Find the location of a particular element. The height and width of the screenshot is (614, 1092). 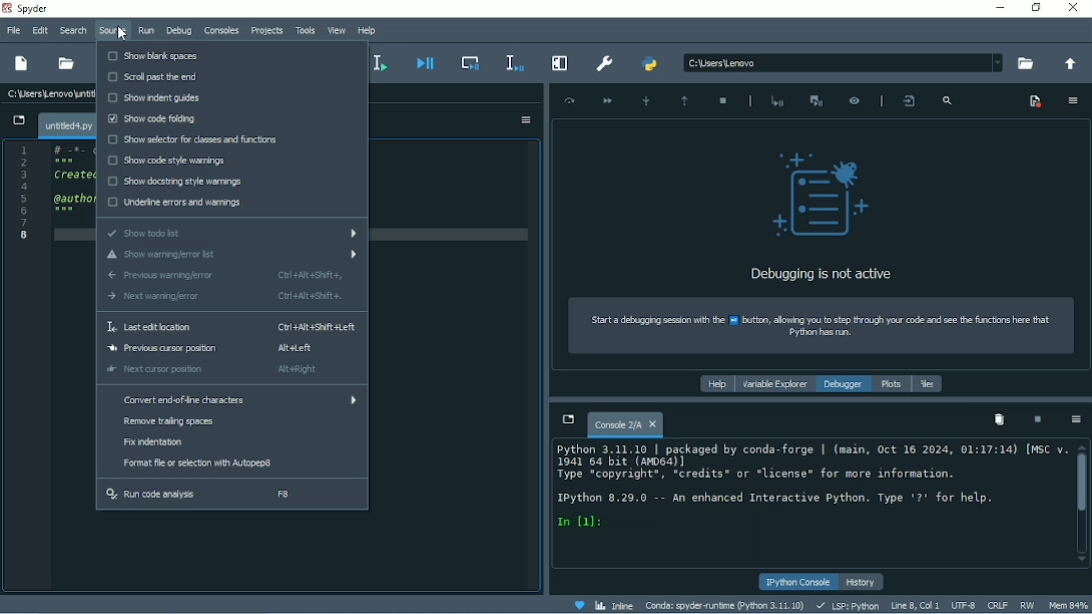

Debug file is located at coordinates (426, 62).